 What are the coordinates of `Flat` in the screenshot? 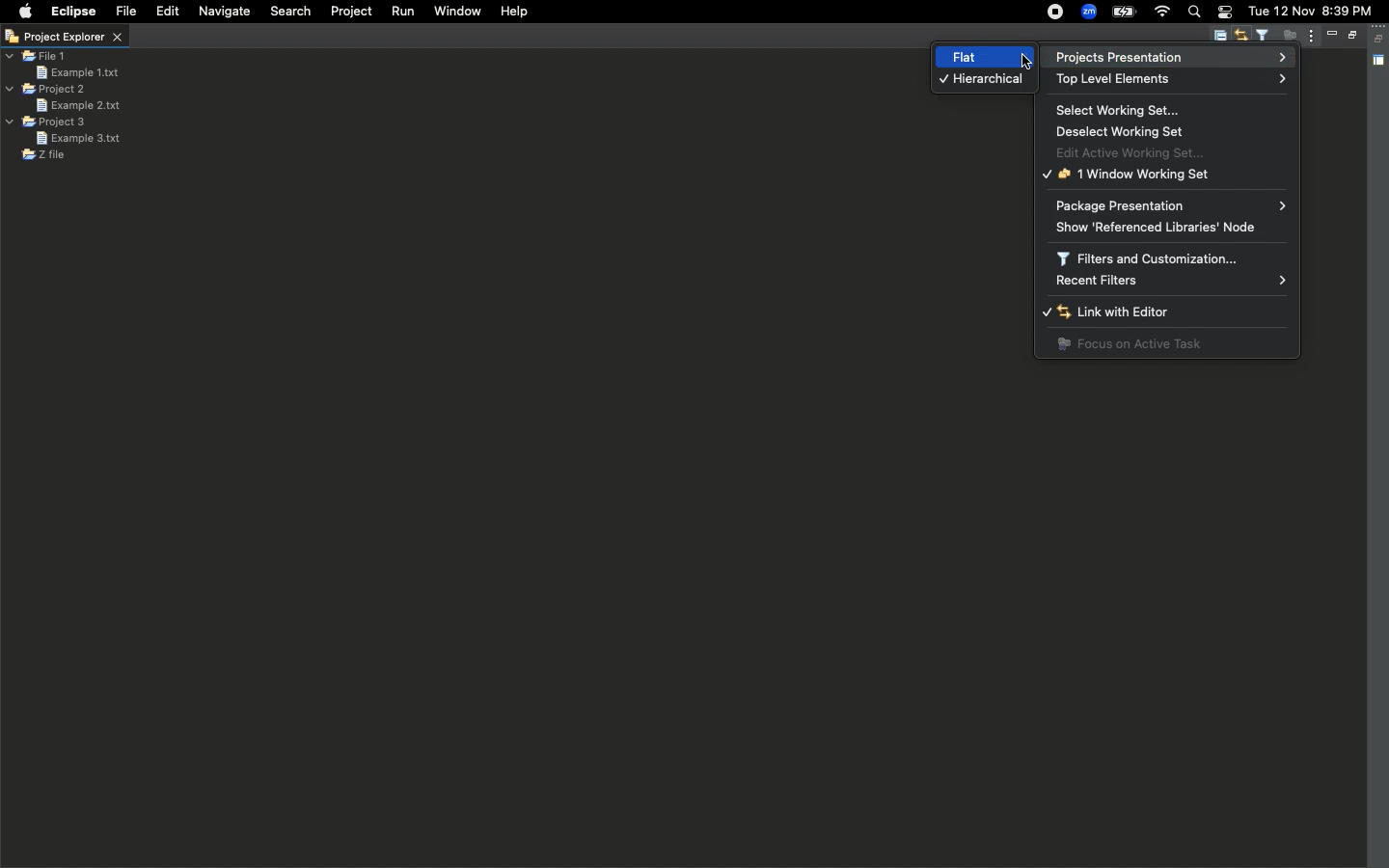 It's located at (958, 58).